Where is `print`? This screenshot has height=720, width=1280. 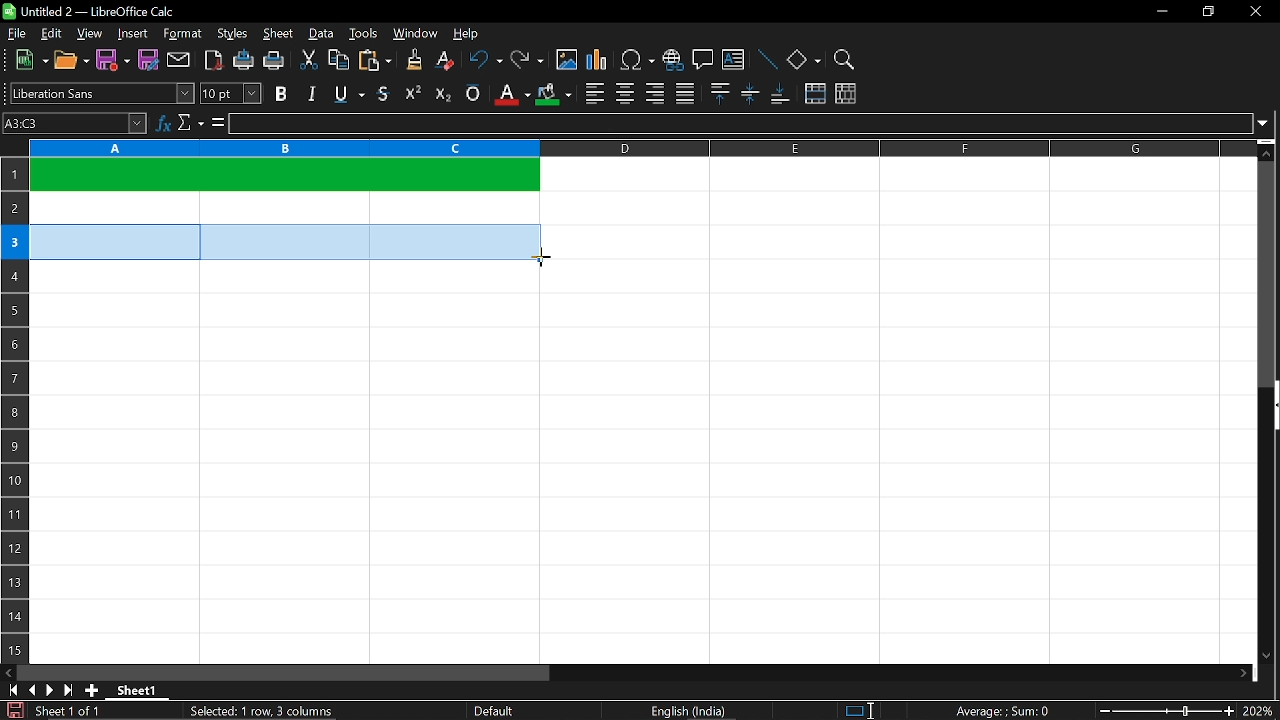
print is located at coordinates (275, 61).